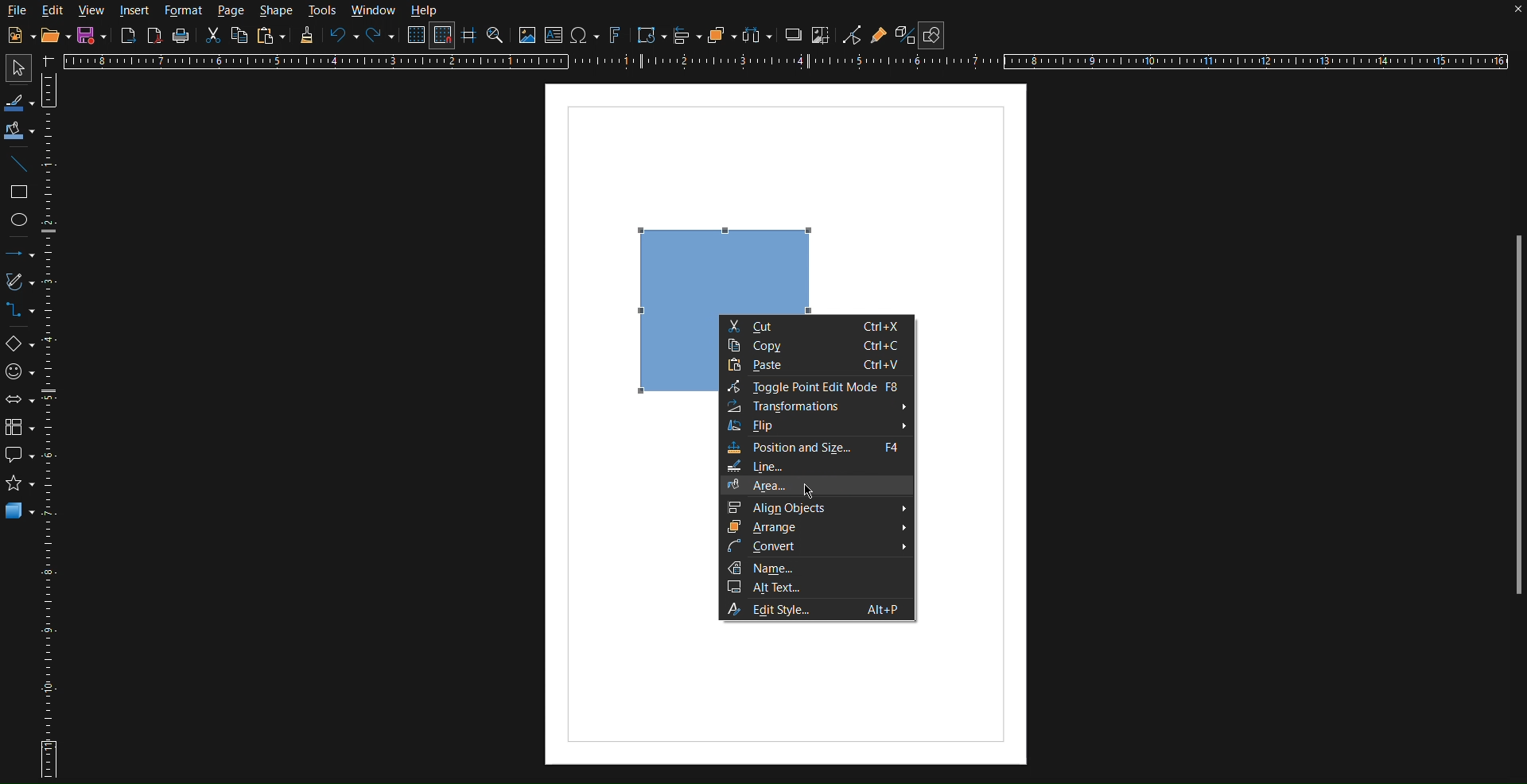  I want to click on Undo, so click(343, 37).